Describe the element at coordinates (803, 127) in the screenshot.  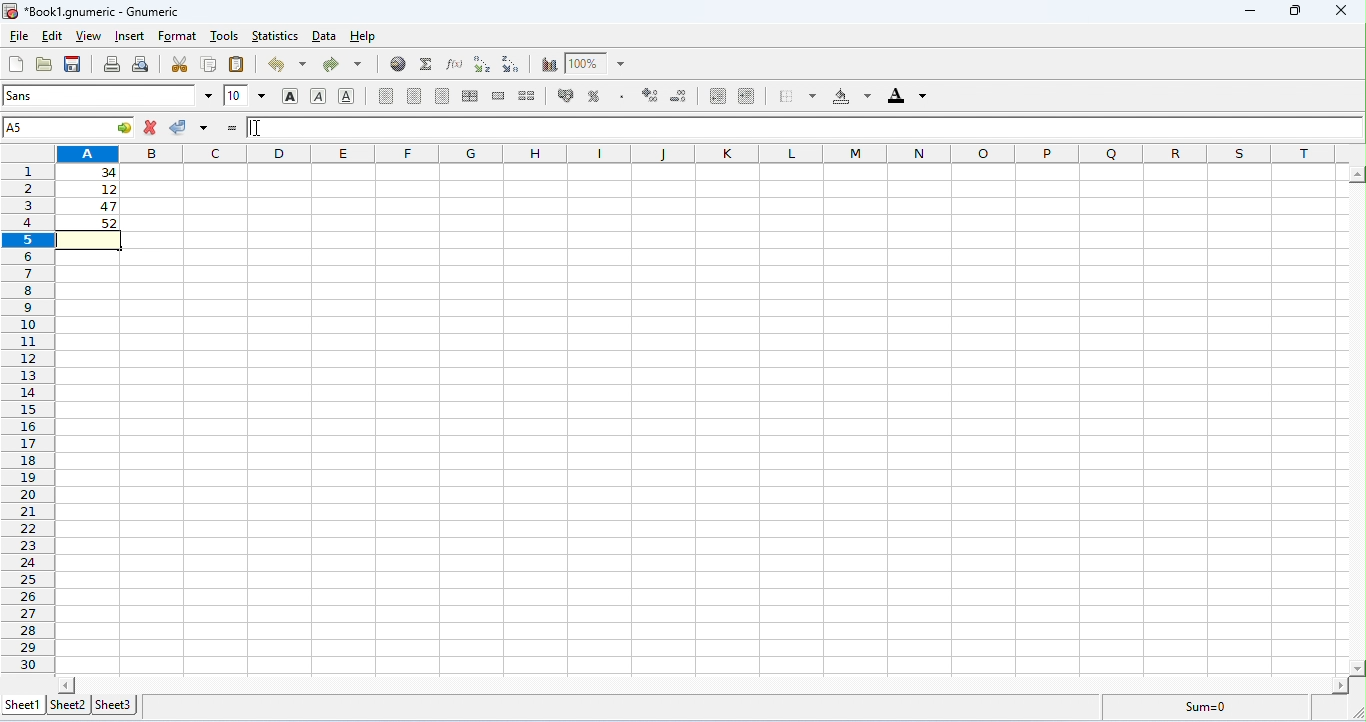
I see `formula bar` at that location.